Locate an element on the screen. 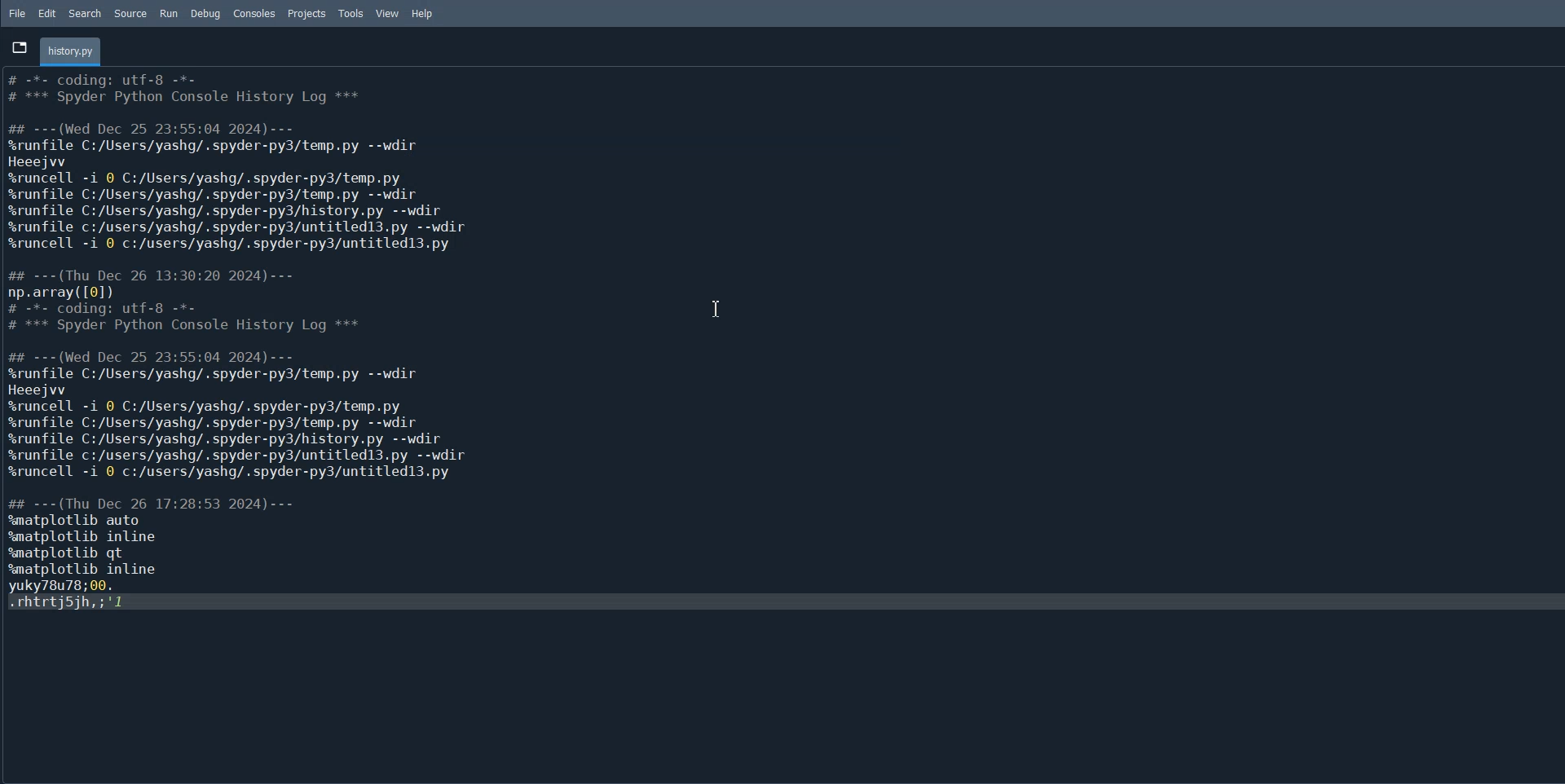 Image resolution: width=1565 pixels, height=784 pixels. Browse Tab is located at coordinates (19, 46).